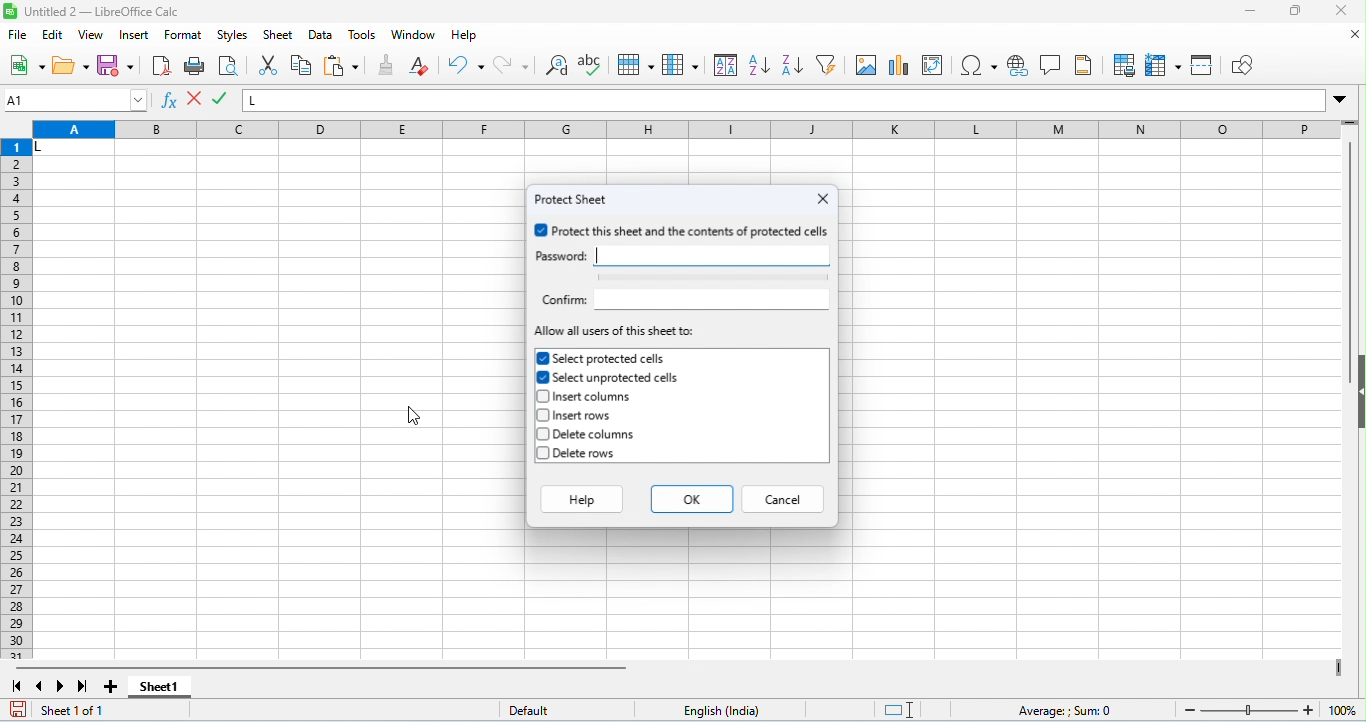 Image resolution: width=1366 pixels, height=722 pixels. What do you see at coordinates (575, 199) in the screenshot?
I see `protect sheet` at bounding box center [575, 199].